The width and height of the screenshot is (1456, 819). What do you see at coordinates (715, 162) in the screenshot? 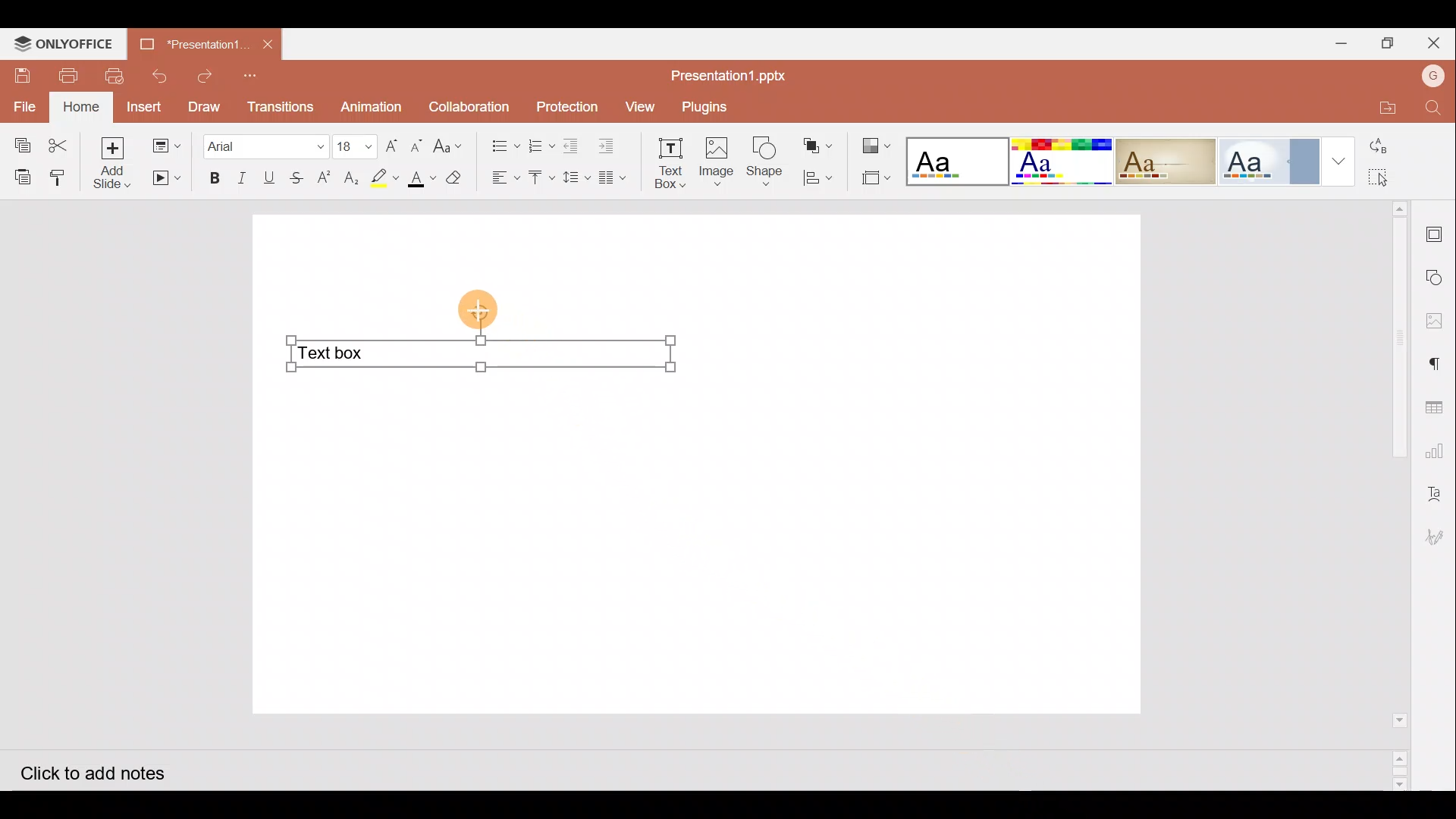
I see `Insert Image` at bounding box center [715, 162].